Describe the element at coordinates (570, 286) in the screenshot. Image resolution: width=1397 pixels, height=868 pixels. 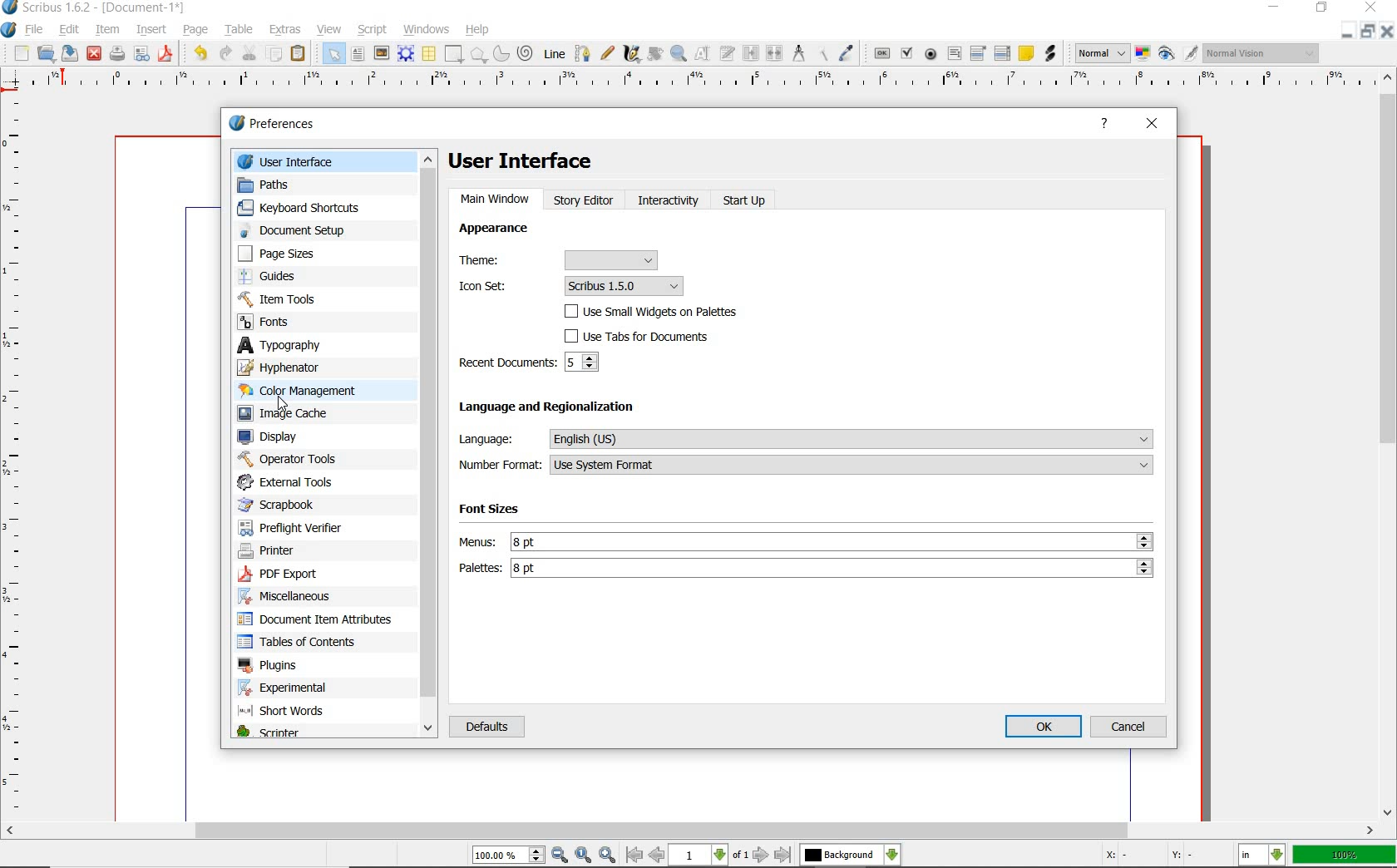
I see `Icon set` at that location.